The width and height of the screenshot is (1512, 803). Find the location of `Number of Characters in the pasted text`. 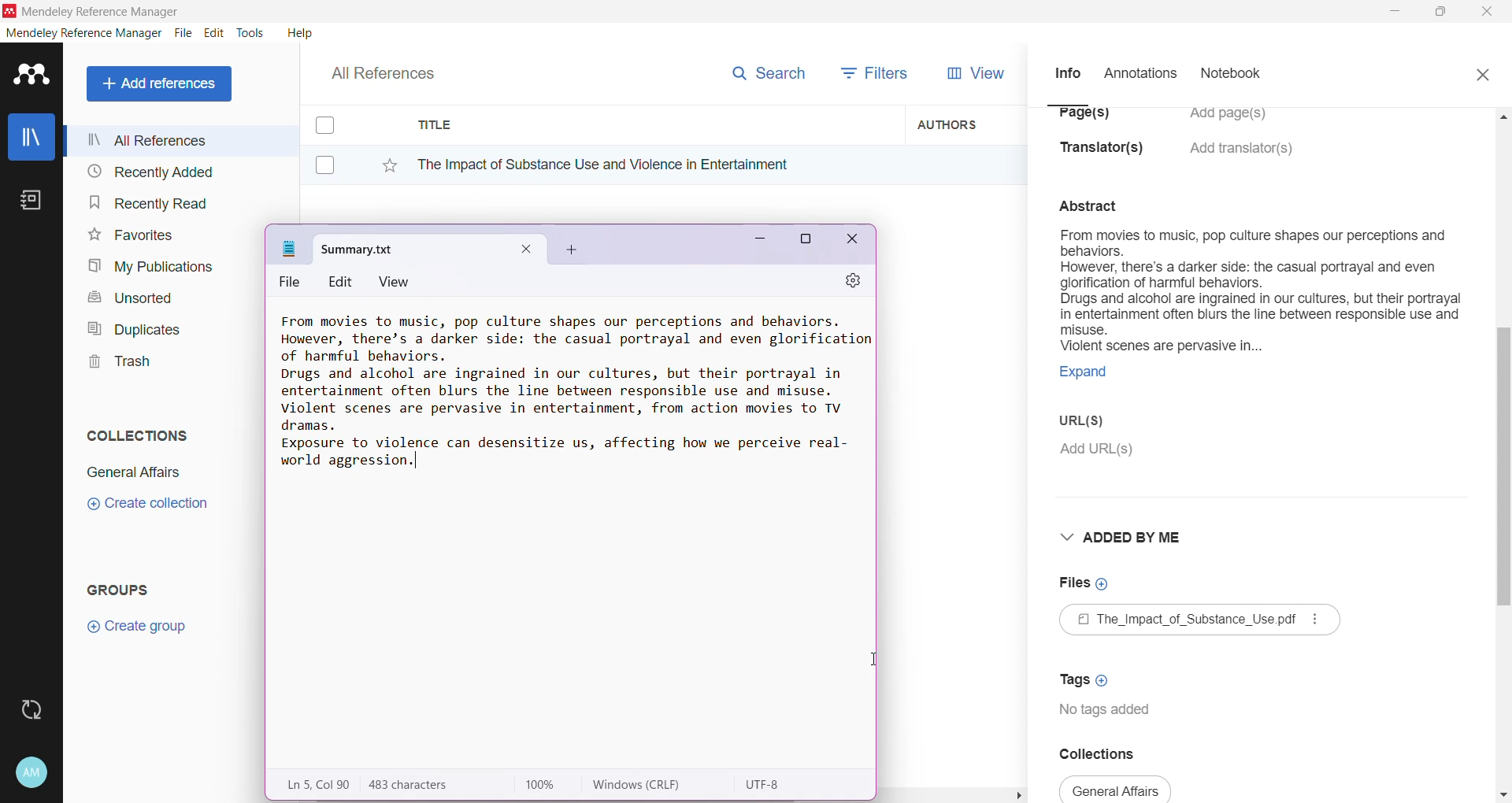

Number of Characters in the pasted text is located at coordinates (422, 785).